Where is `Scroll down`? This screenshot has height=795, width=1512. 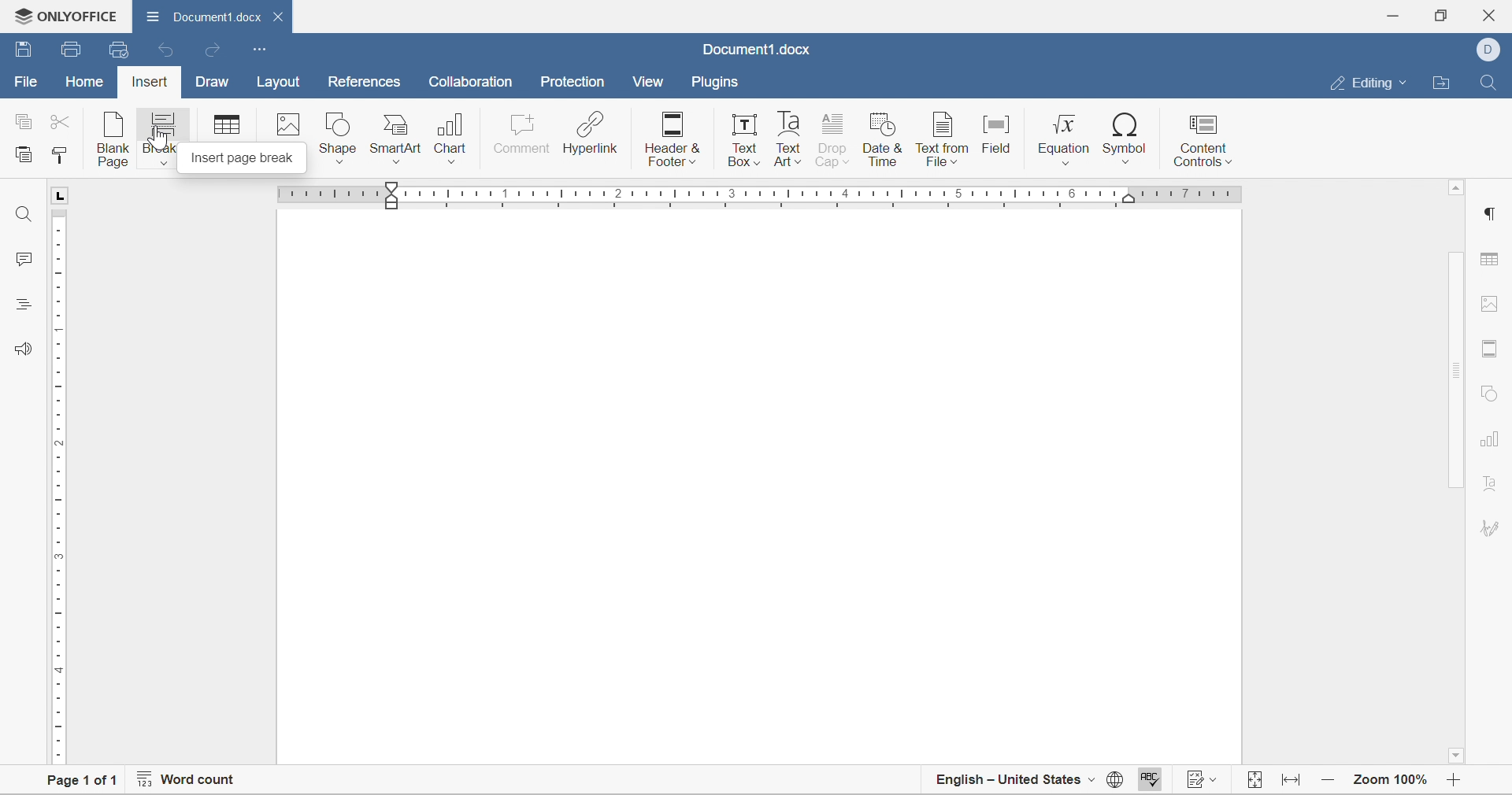 Scroll down is located at coordinates (1459, 758).